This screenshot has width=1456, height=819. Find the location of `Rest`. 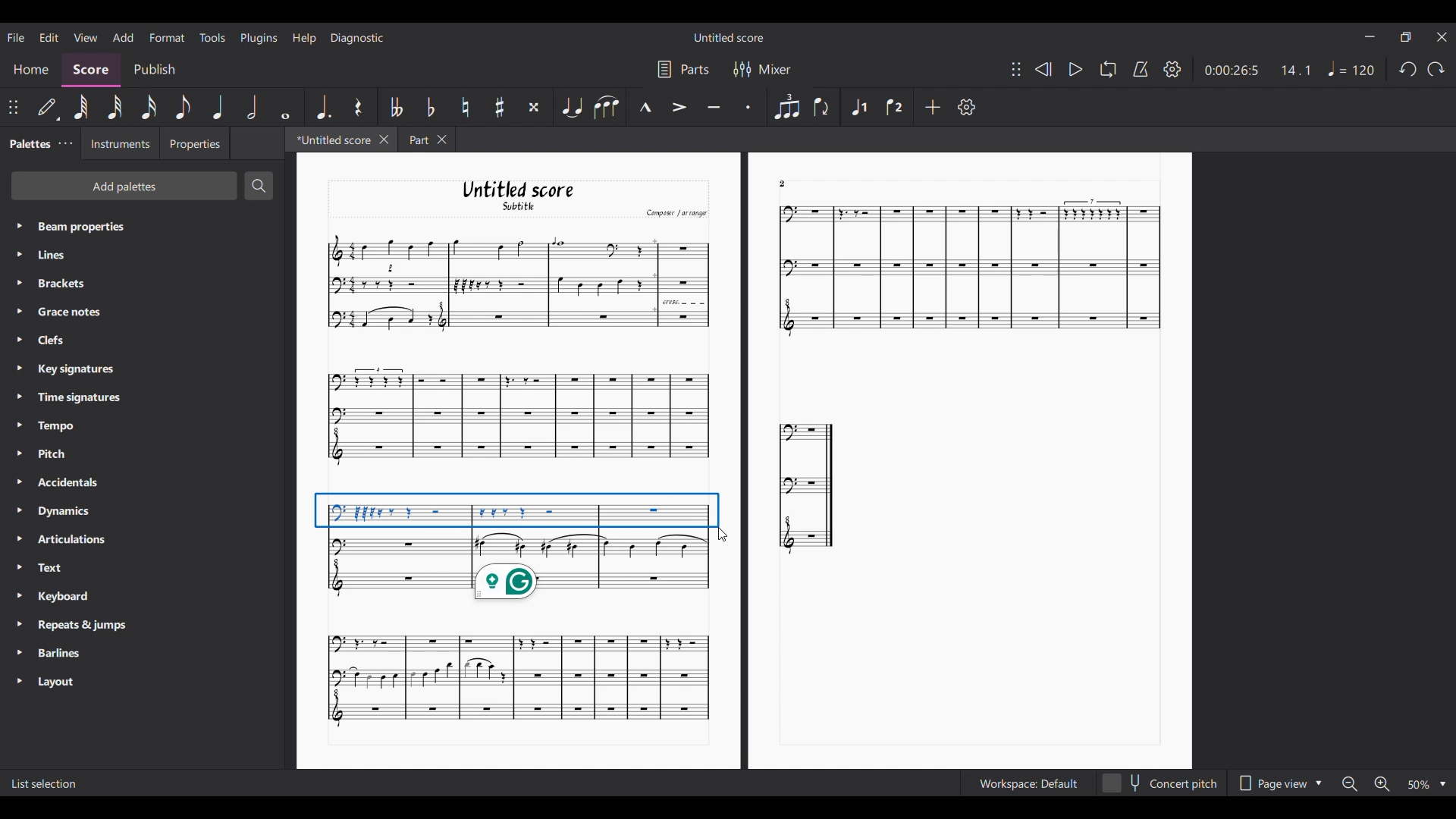

Rest is located at coordinates (360, 107).